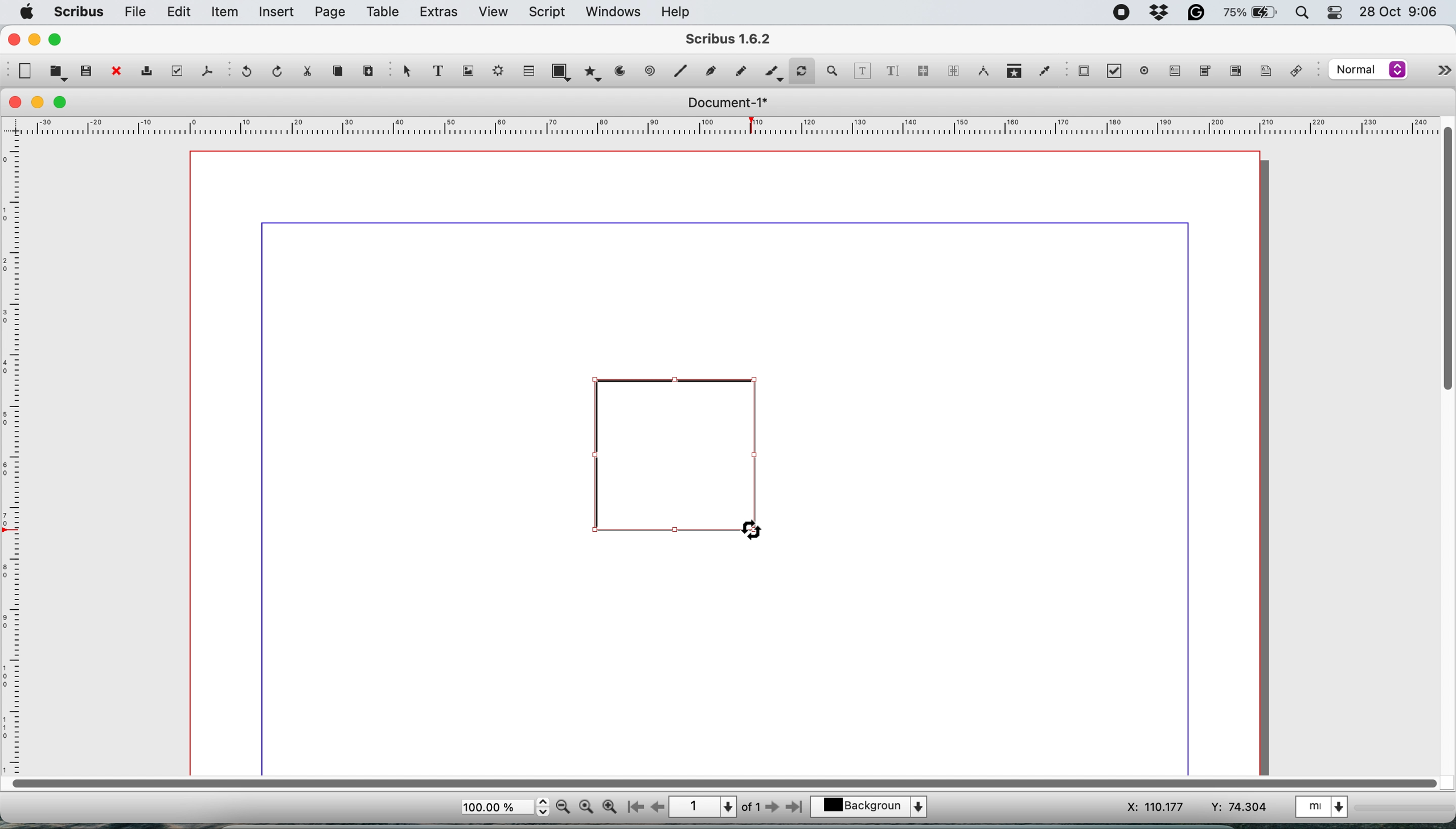 The height and width of the screenshot is (829, 1456). Describe the element at coordinates (740, 38) in the screenshot. I see `scribus 1.6.2` at that location.